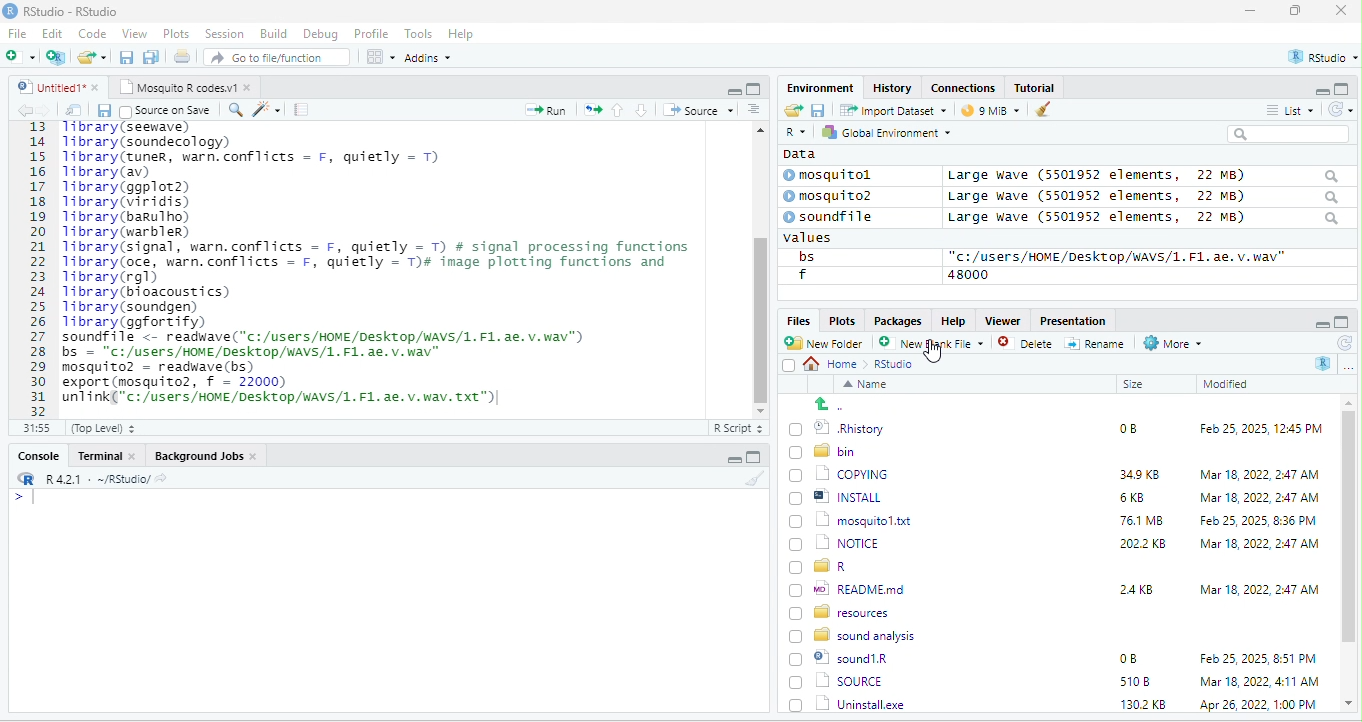 The image size is (1362, 722). Describe the element at coordinates (965, 86) in the screenshot. I see `clases` at that location.